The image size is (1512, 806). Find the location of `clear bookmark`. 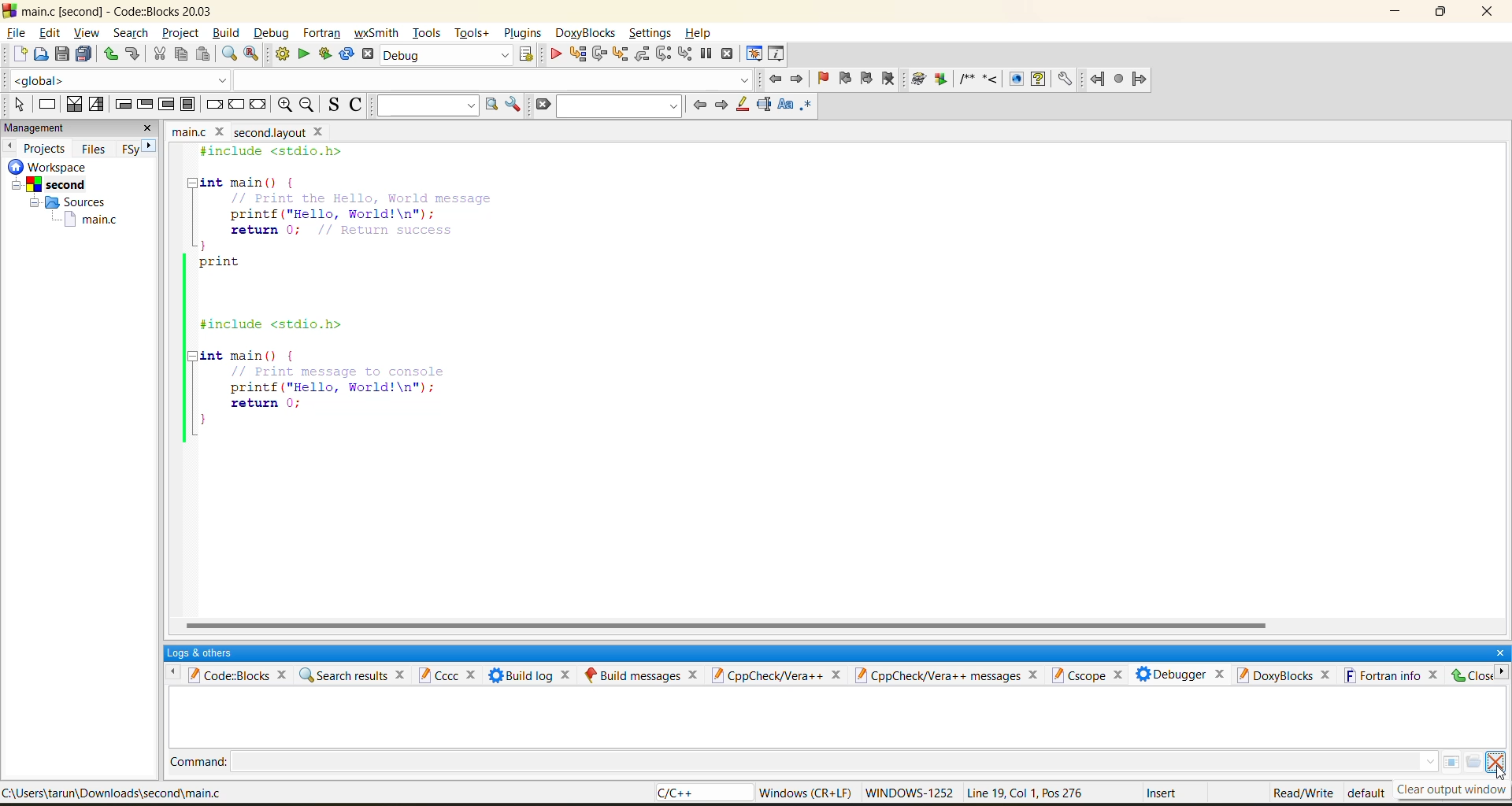

clear bookmark is located at coordinates (891, 82).